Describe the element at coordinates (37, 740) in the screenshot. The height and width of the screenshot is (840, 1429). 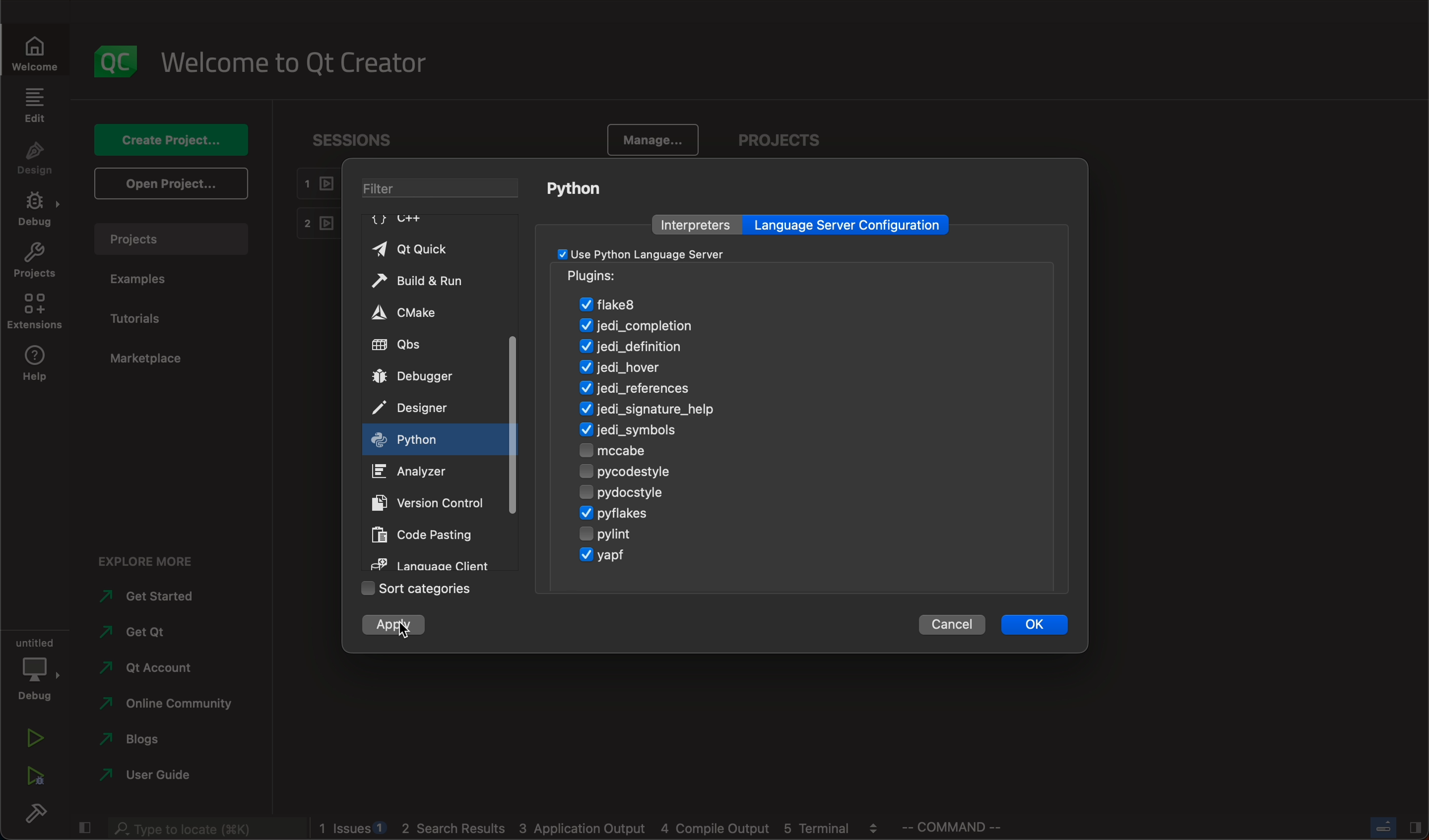
I see `run` at that location.